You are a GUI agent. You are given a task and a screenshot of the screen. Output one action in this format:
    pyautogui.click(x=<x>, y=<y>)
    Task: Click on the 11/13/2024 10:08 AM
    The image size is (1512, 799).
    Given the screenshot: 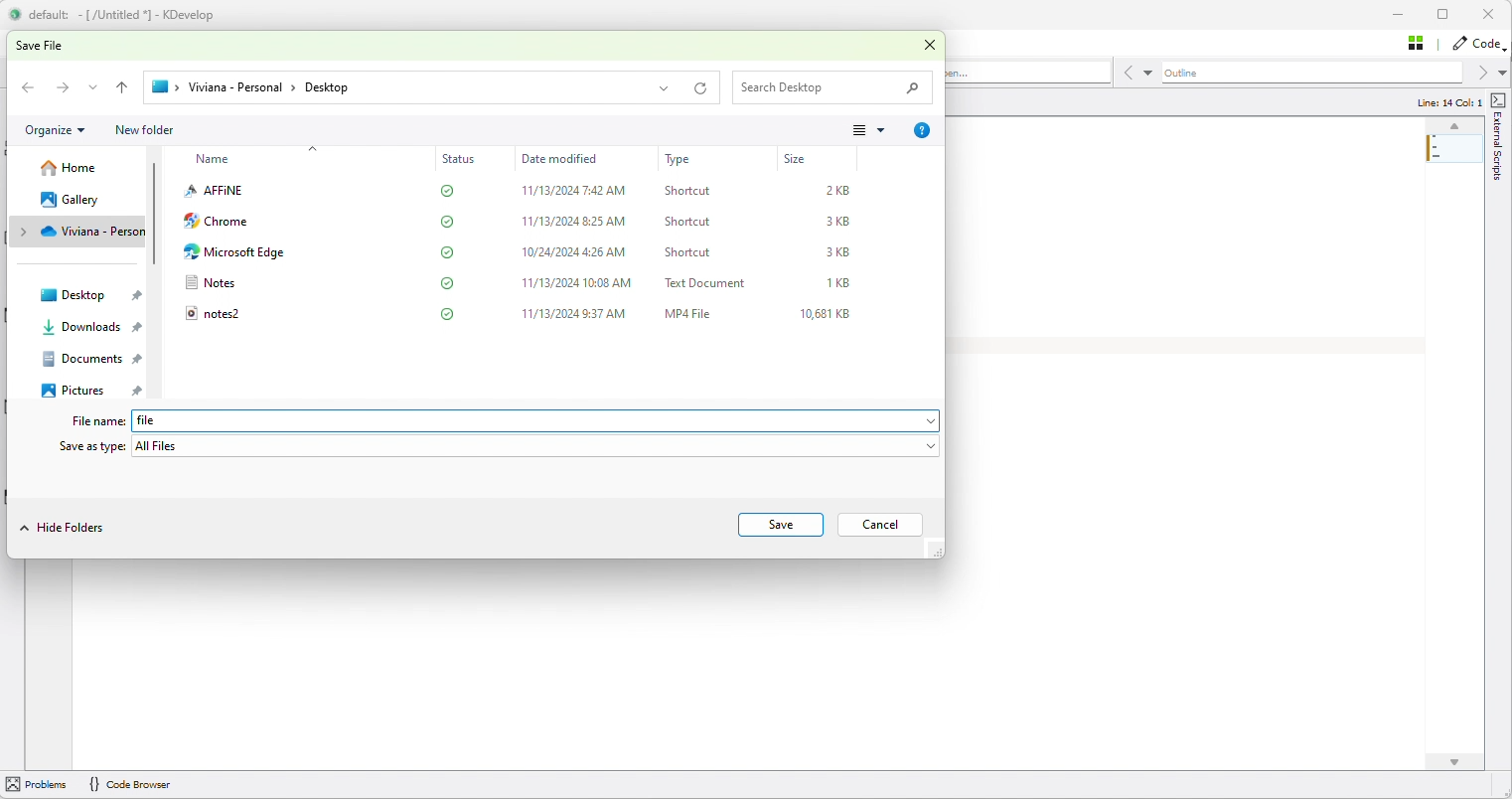 What is the action you would take?
    pyautogui.click(x=580, y=283)
    